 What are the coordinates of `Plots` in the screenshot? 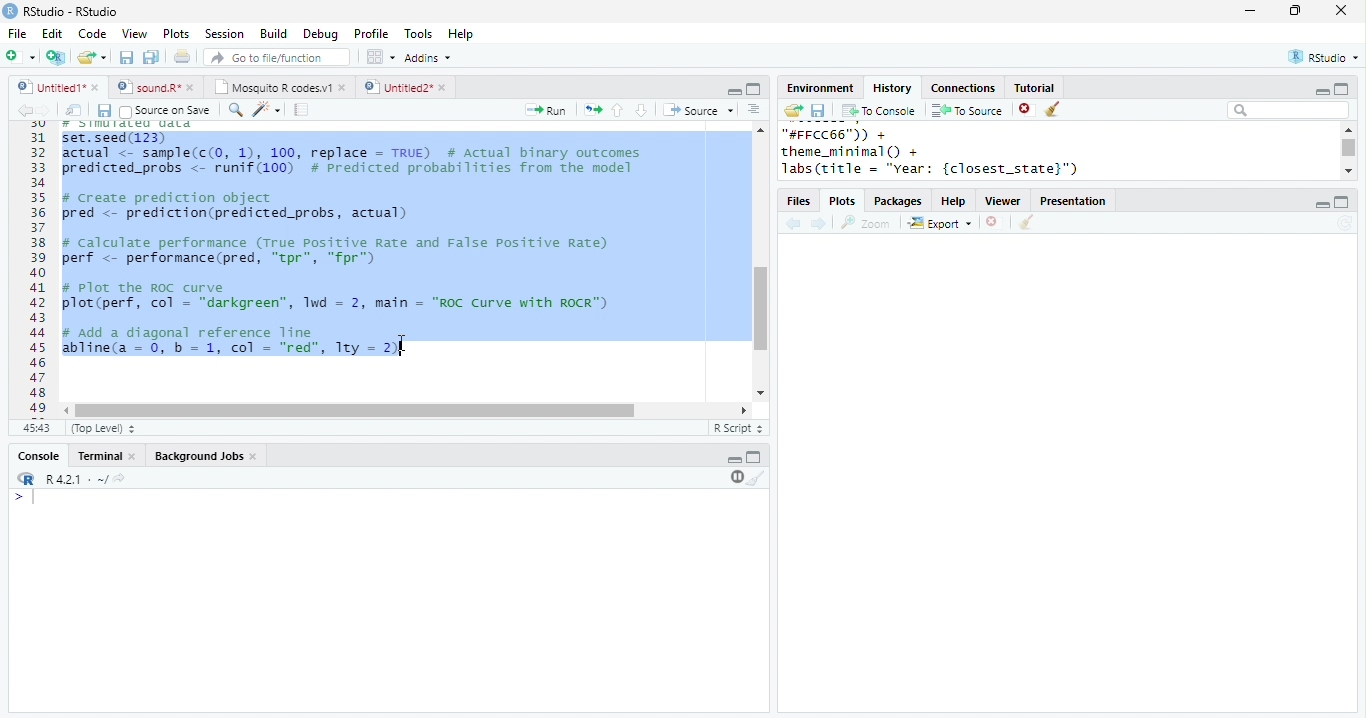 It's located at (844, 202).